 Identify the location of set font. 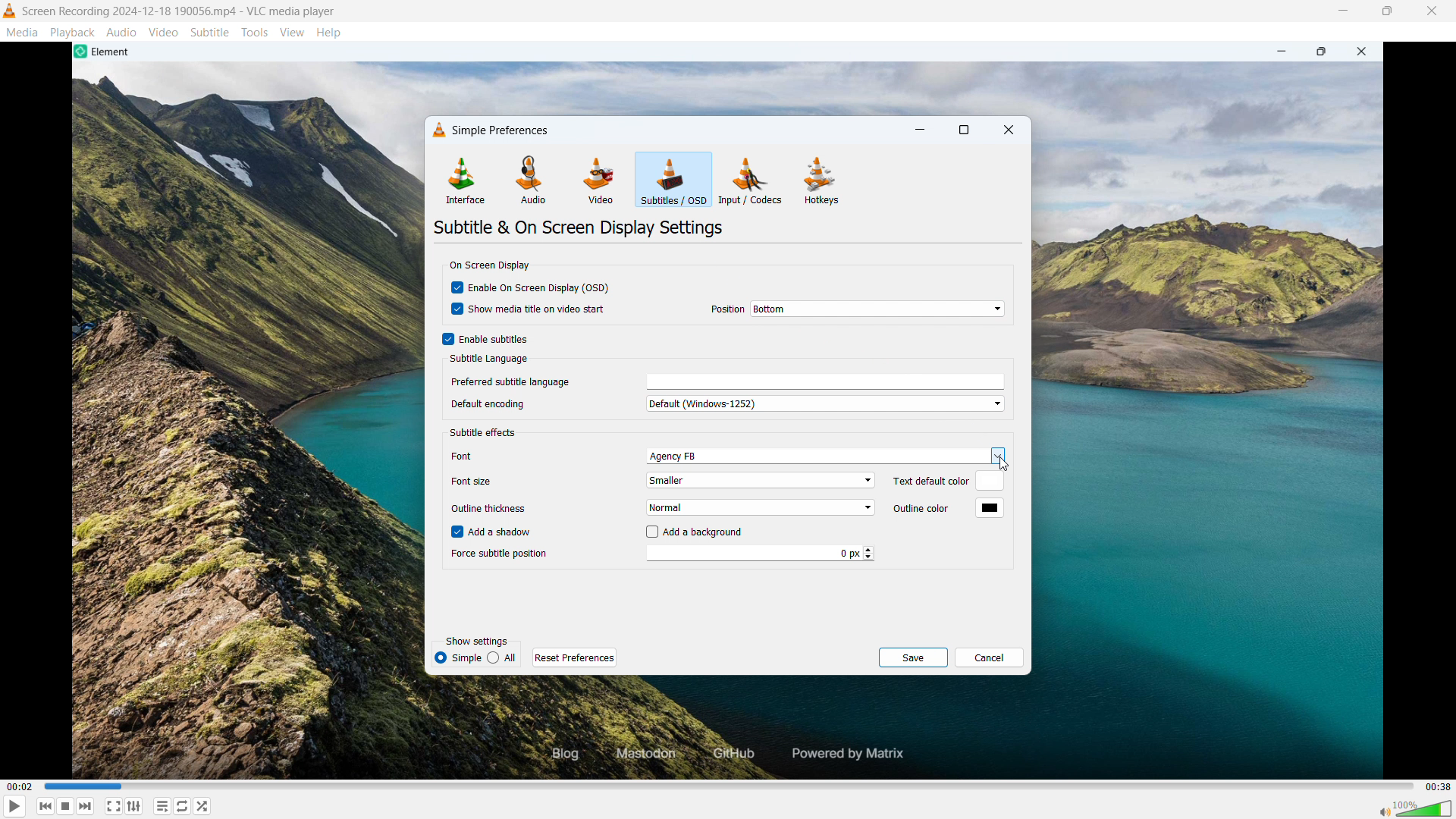
(823, 456).